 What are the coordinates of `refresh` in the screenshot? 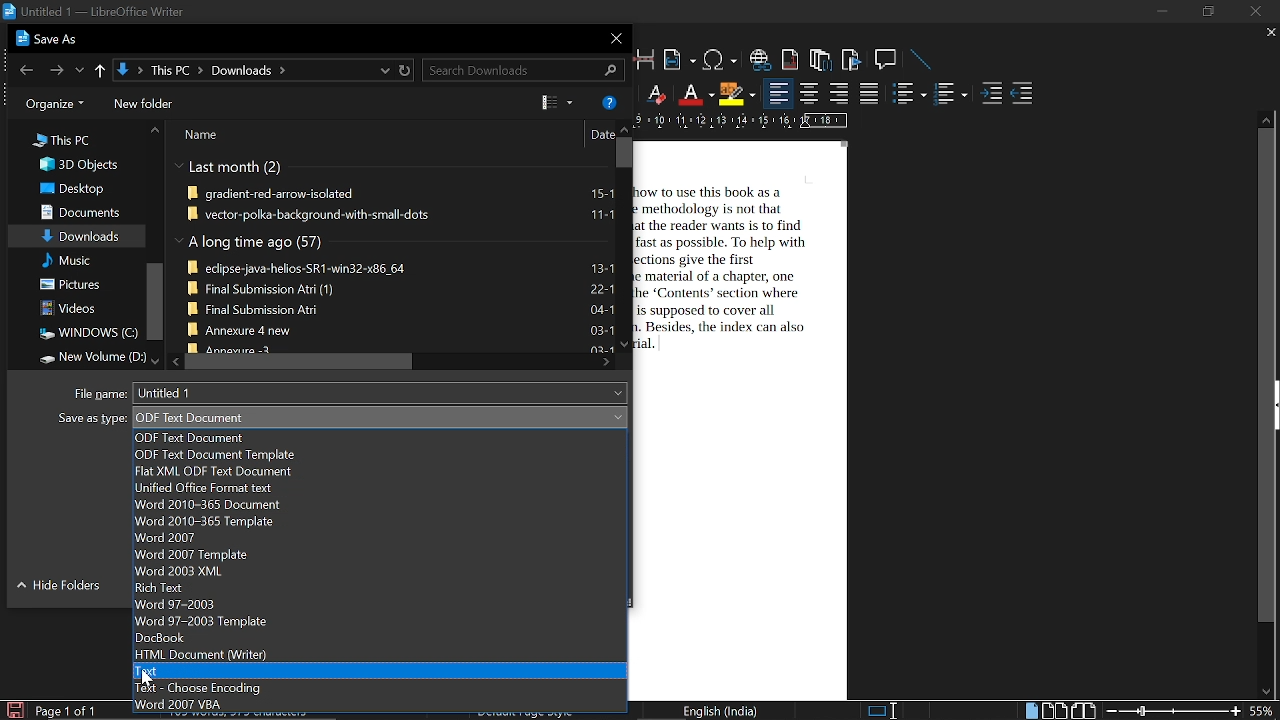 It's located at (406, 71).